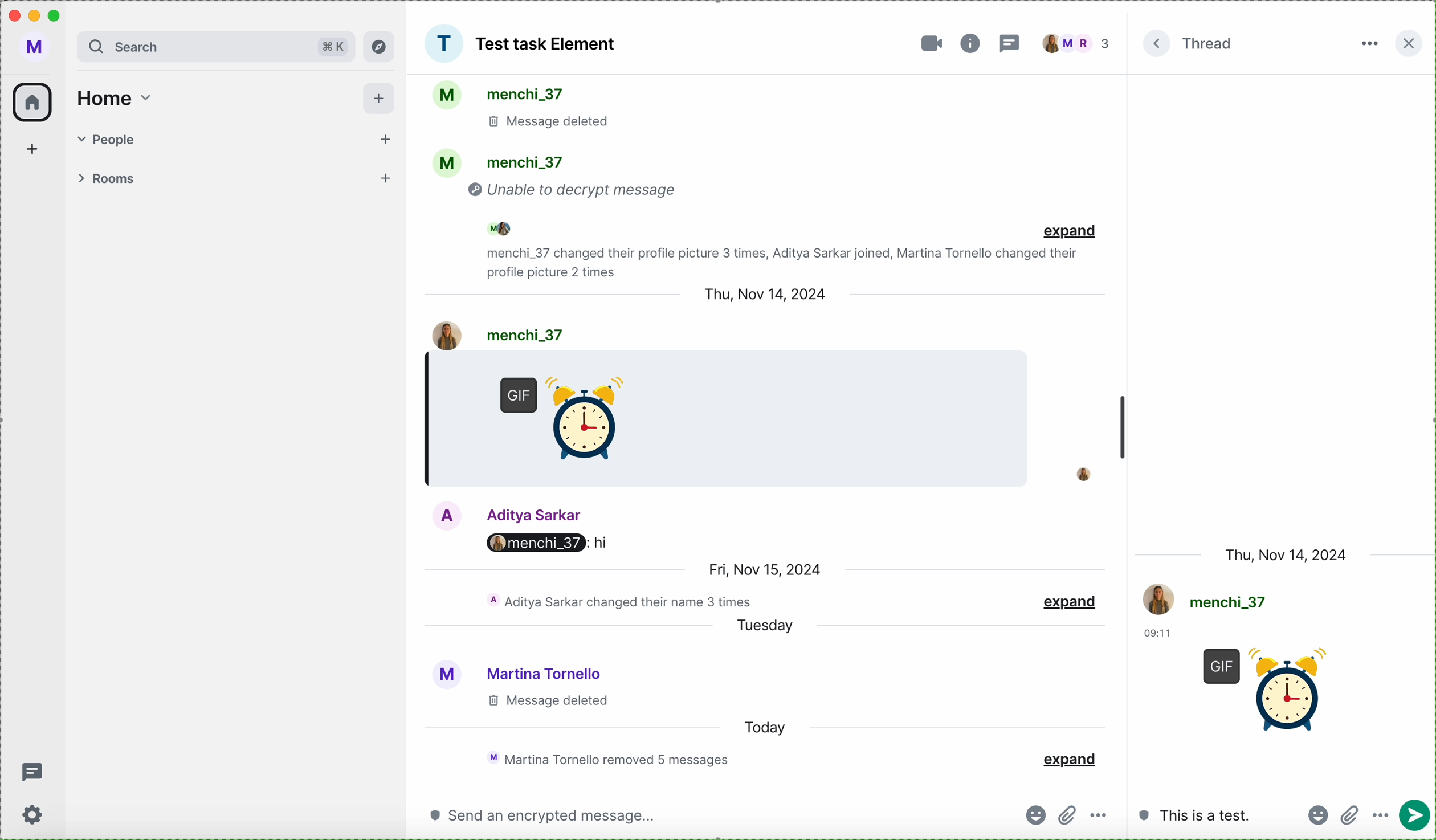 The height and width of the screenshot is (840, 1436). Describe the element at coordinates (762, 567) in the screenshot. I see `date` at that location.